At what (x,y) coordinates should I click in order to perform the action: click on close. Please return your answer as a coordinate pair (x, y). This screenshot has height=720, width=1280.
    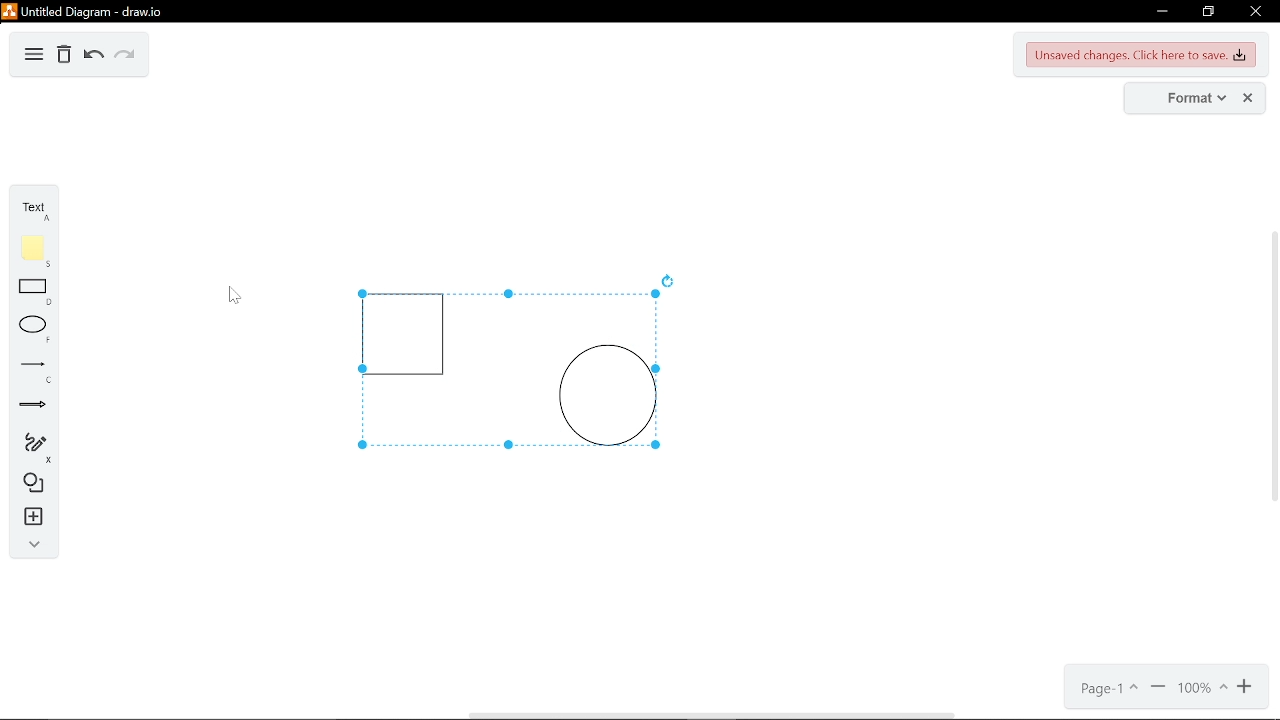
    Looking at the image, I should click on (1257, 13).